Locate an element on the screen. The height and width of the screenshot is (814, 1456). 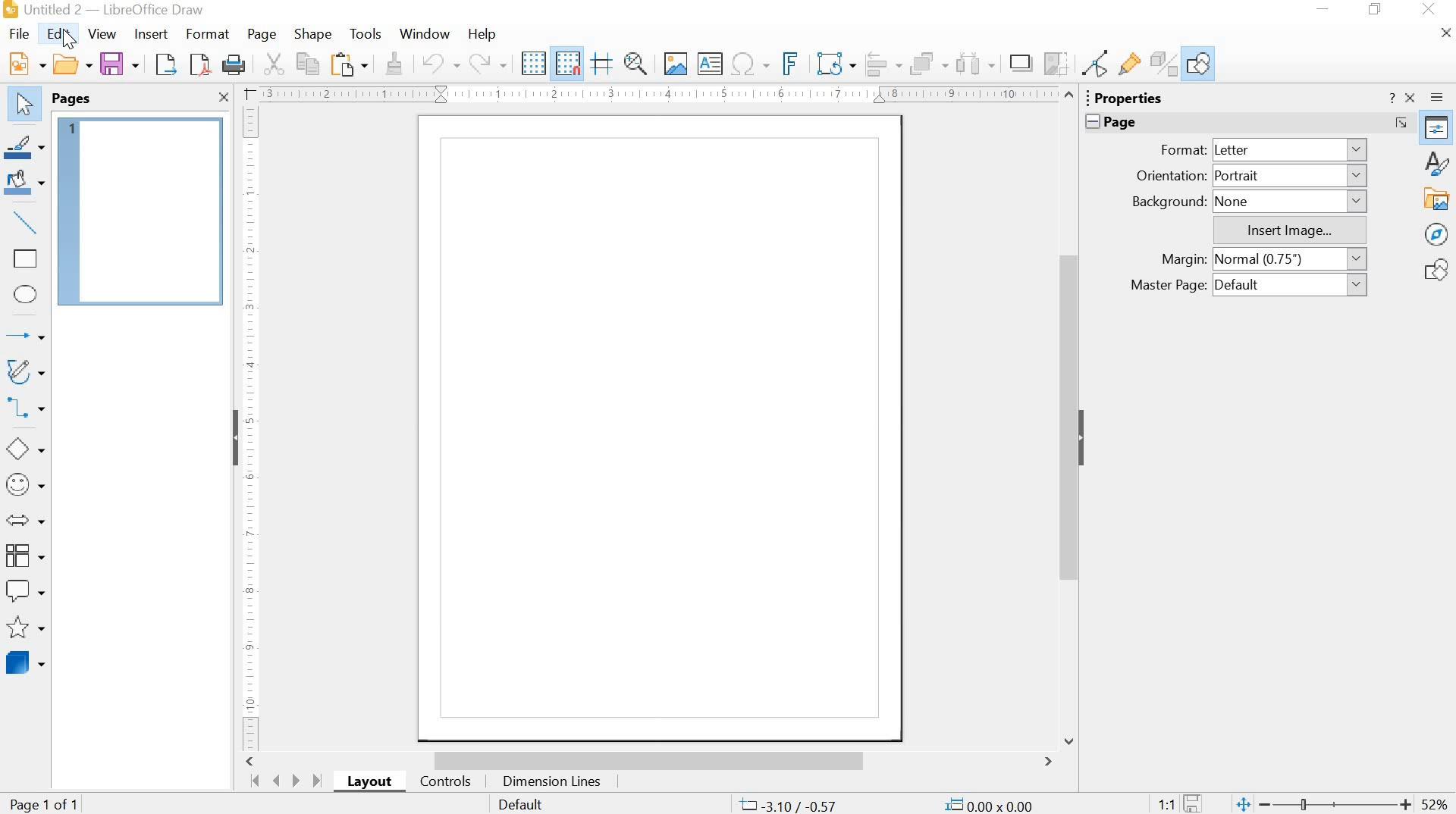
Close Document is located at coordinates (1446, 33).